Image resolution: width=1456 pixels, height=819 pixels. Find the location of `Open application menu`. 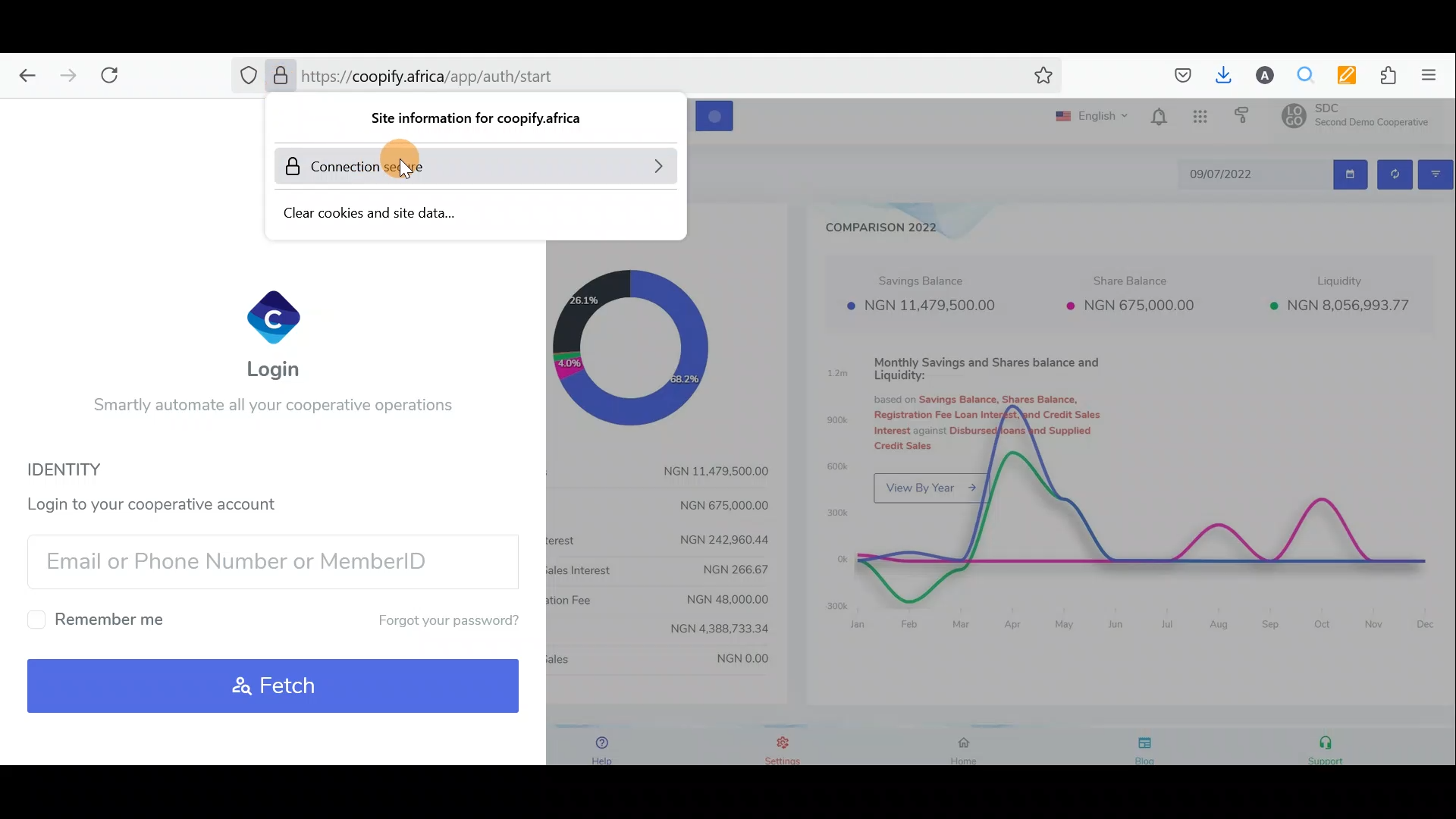

Open application menu is located at coordinates (1433, 76).